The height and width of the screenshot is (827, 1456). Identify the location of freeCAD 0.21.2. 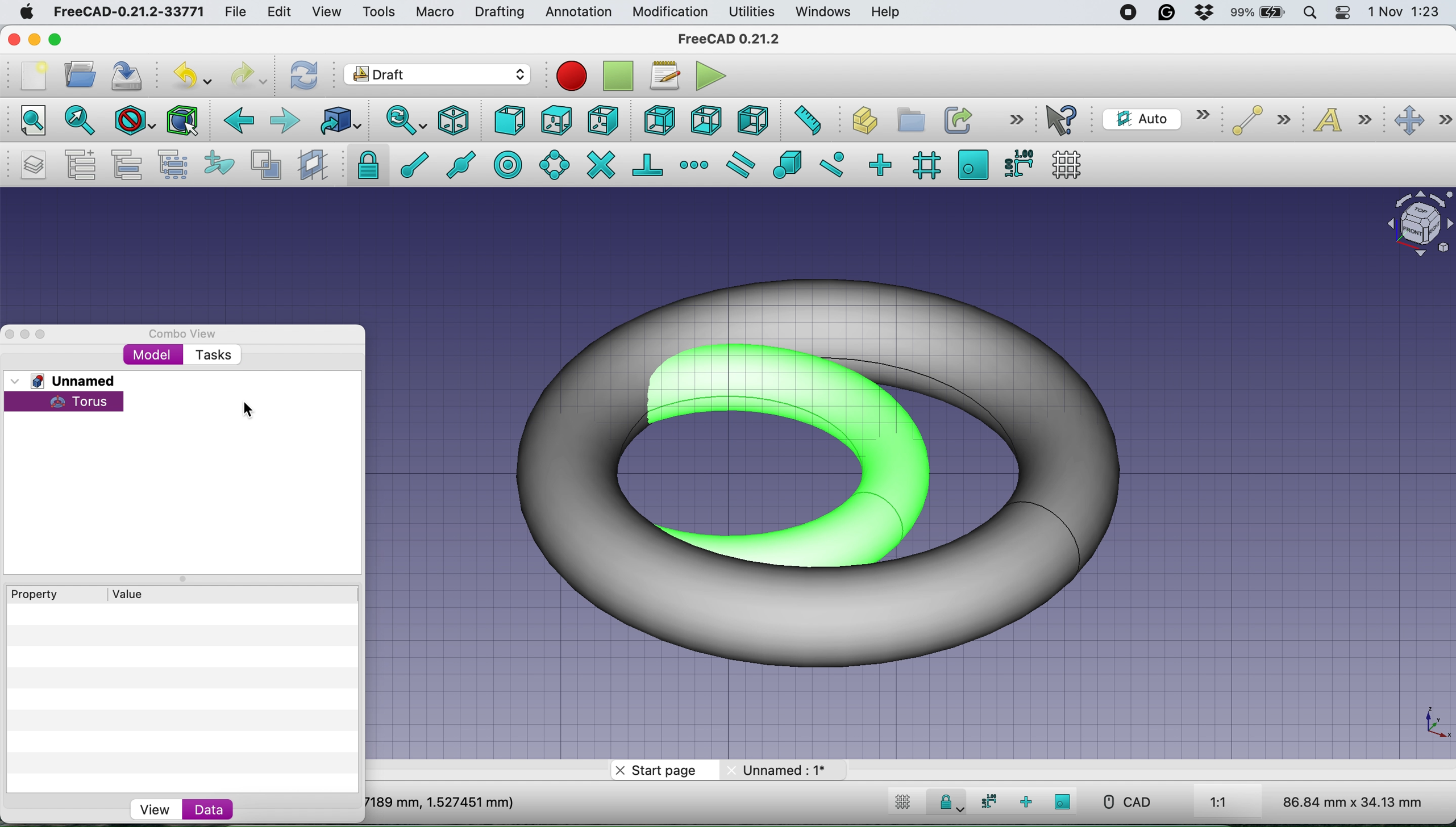
(729, 40).